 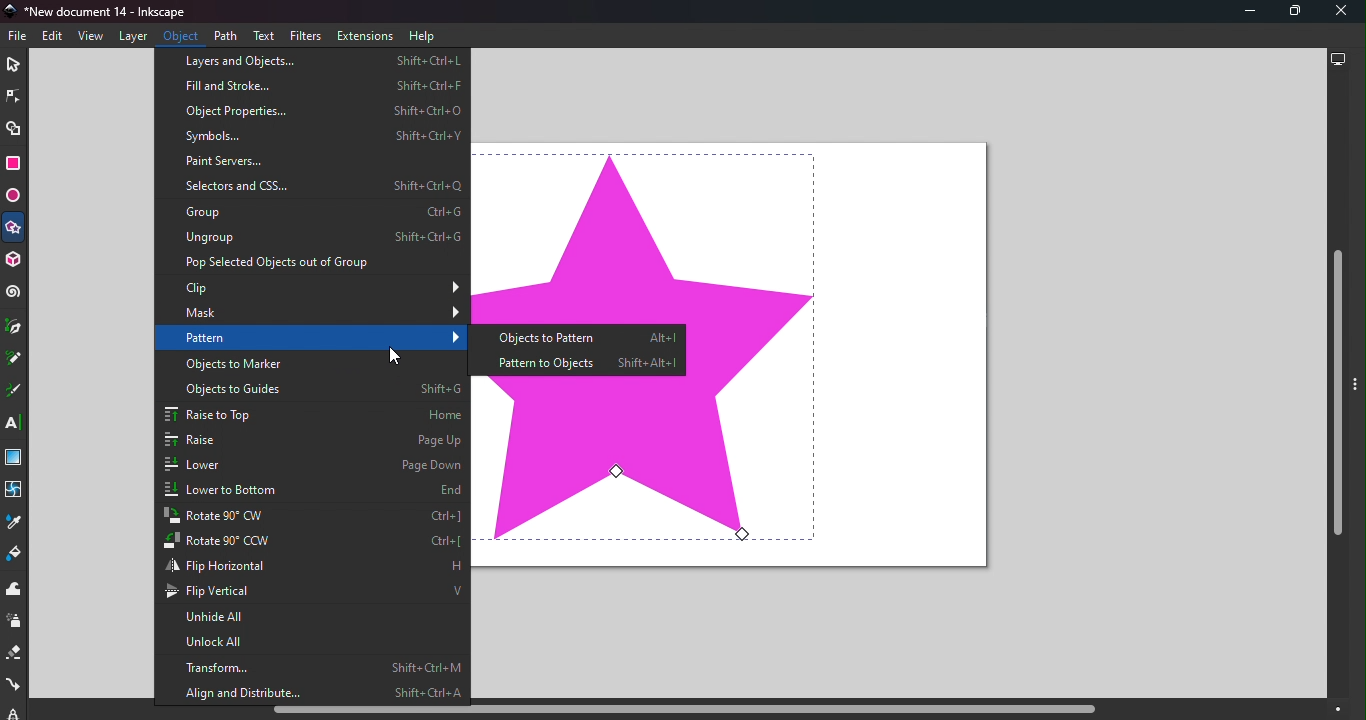 What do you see at coordinates (16, 495) in the screenshot?
I see `Mesh tool` at bounding box center [16, 495].